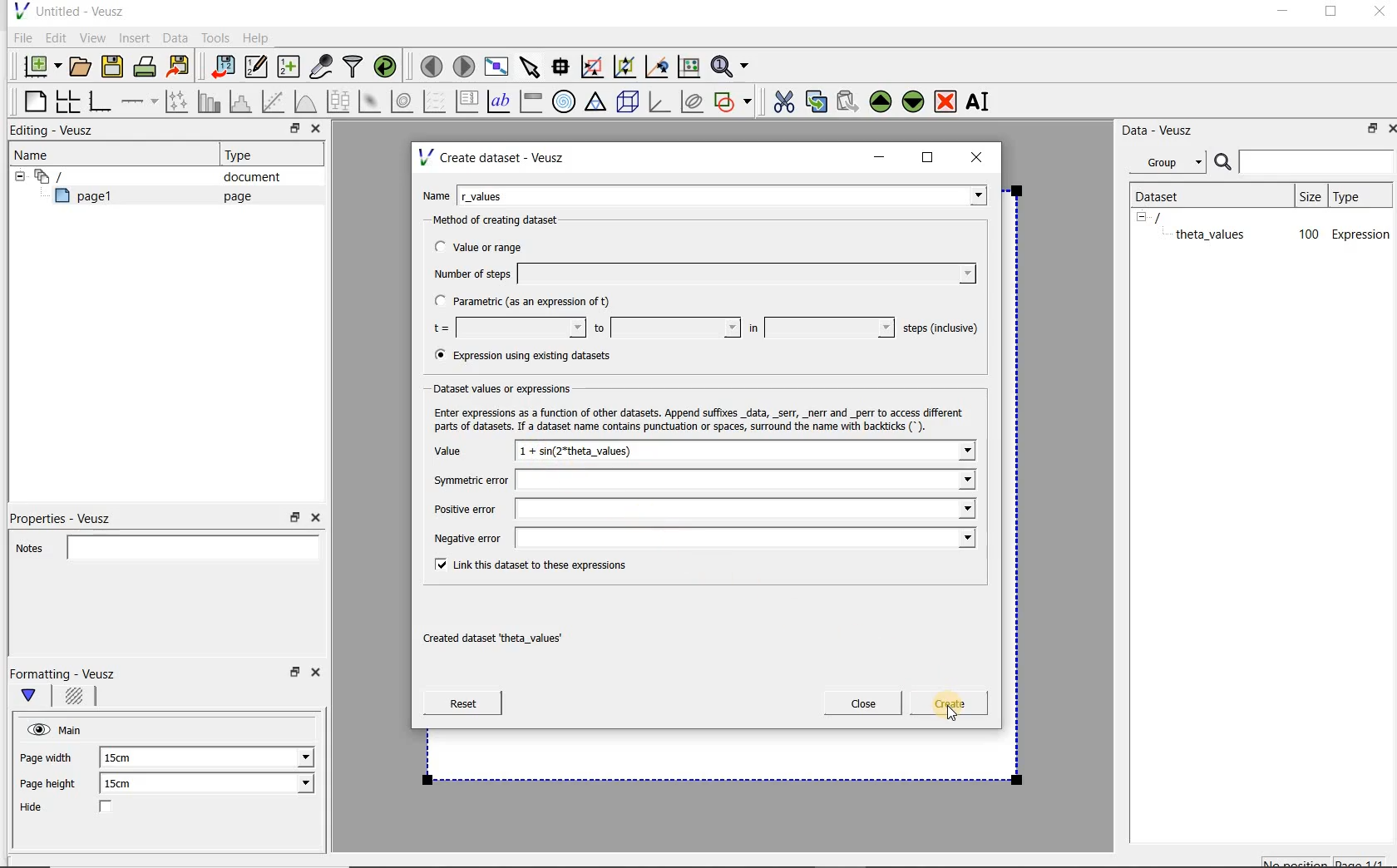  I want to click on Background, so click(77, 698).